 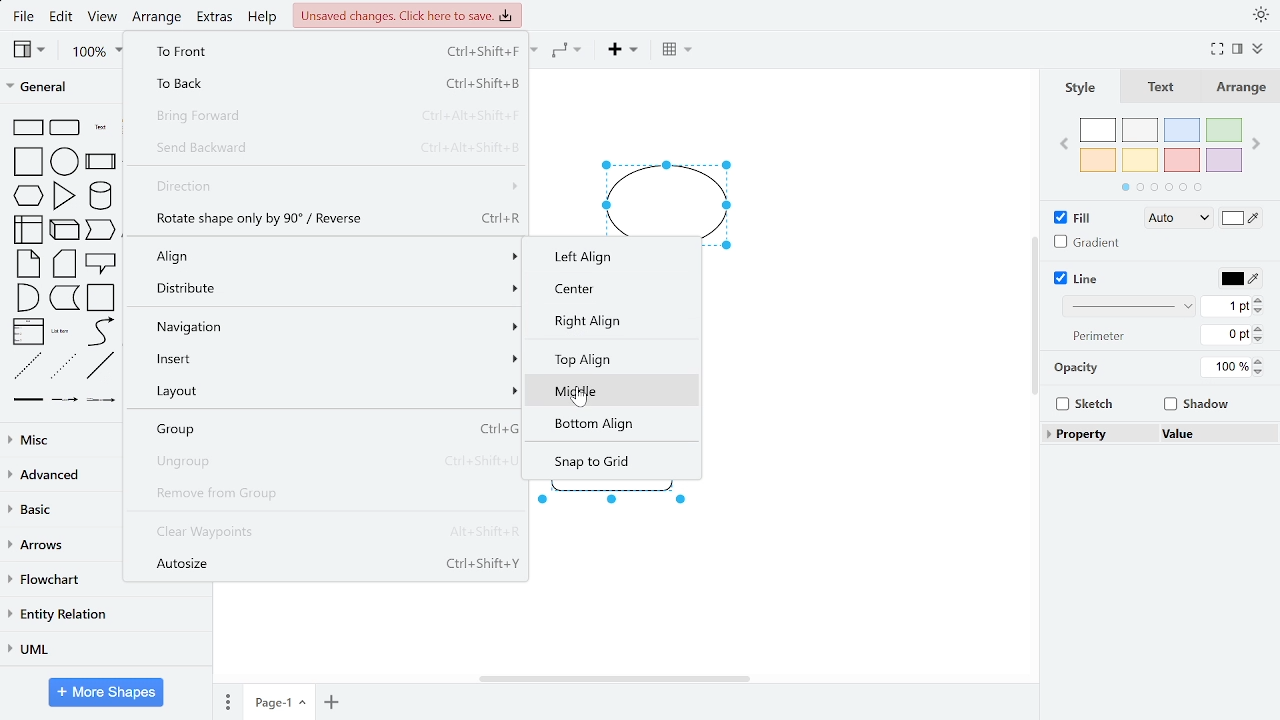 I want to click on clear waypoints, so click(x=330, y=531).